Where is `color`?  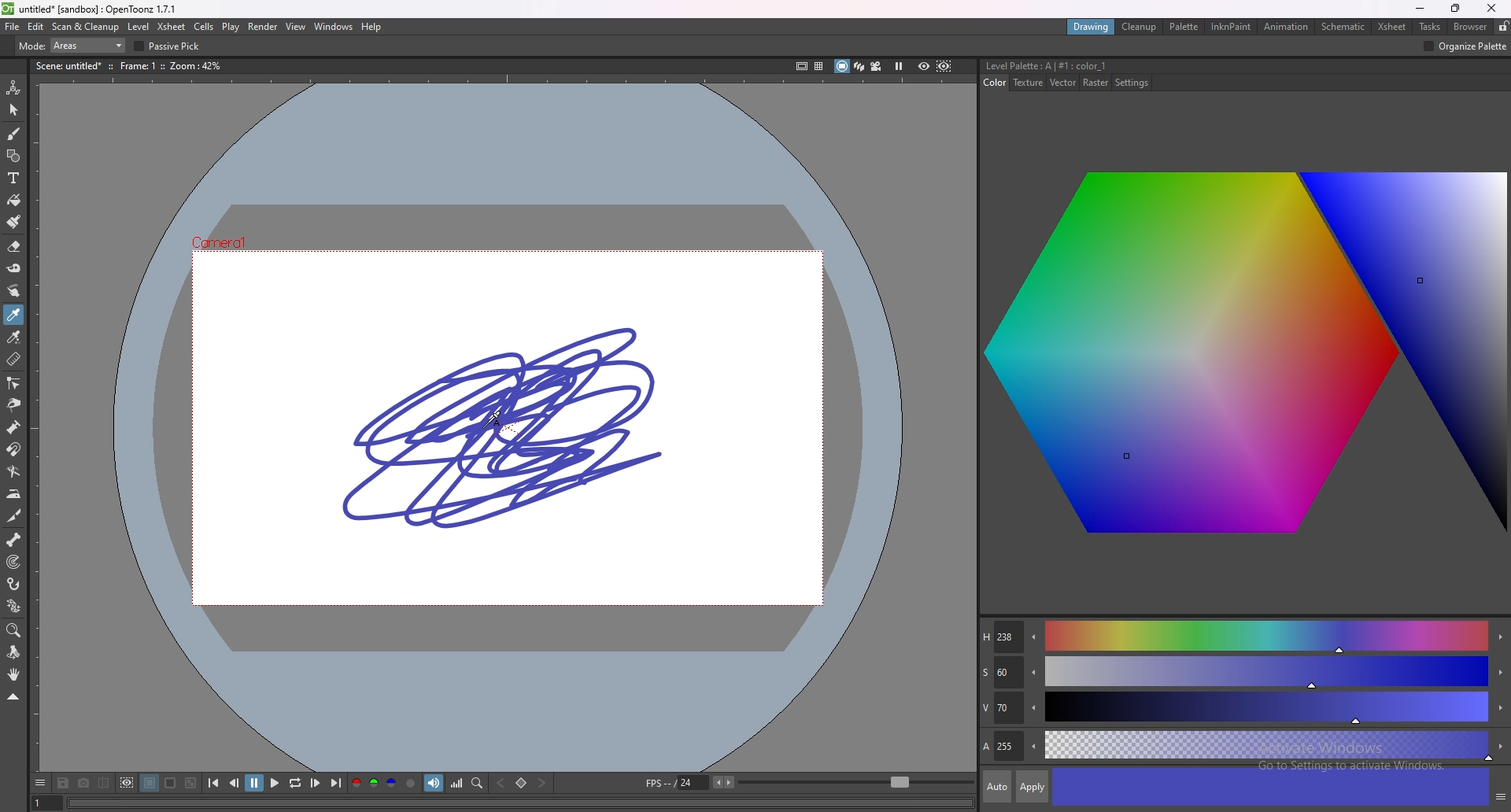
color is located at coordinates (996, 83).